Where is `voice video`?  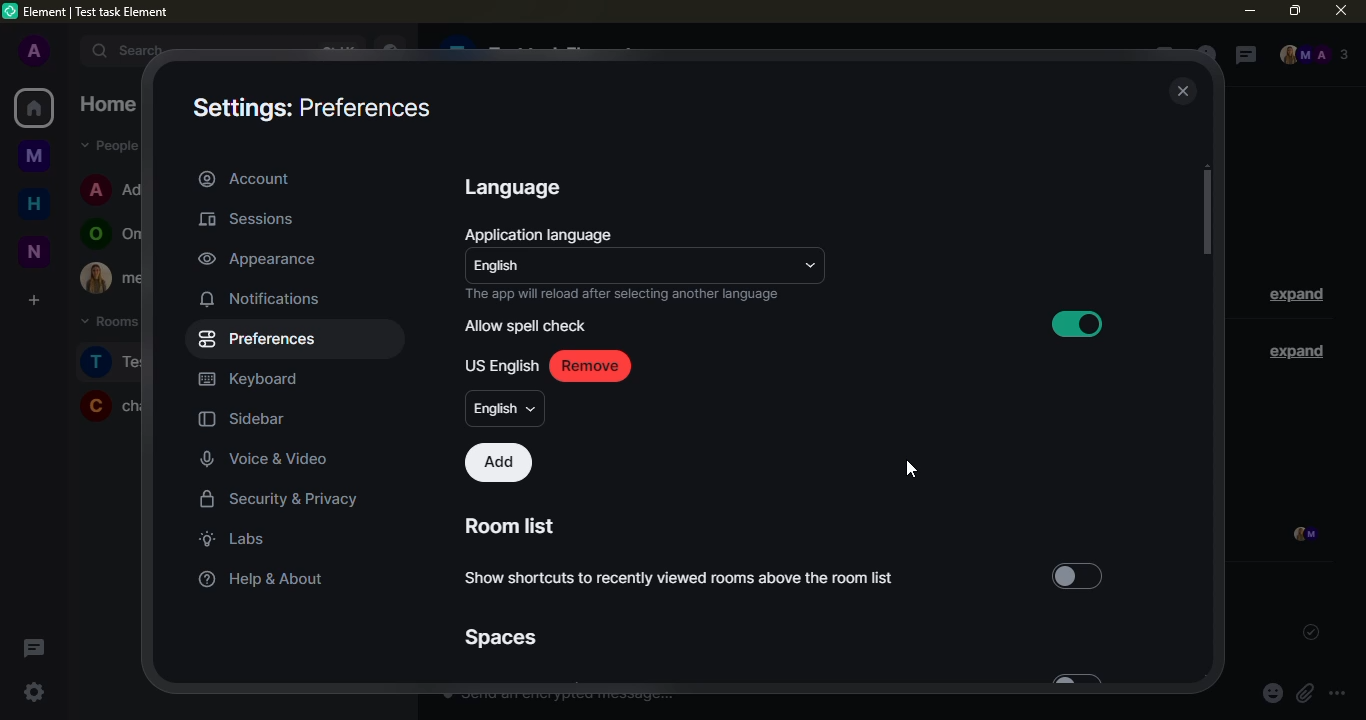 voice video is located at coordinates (278, 457).